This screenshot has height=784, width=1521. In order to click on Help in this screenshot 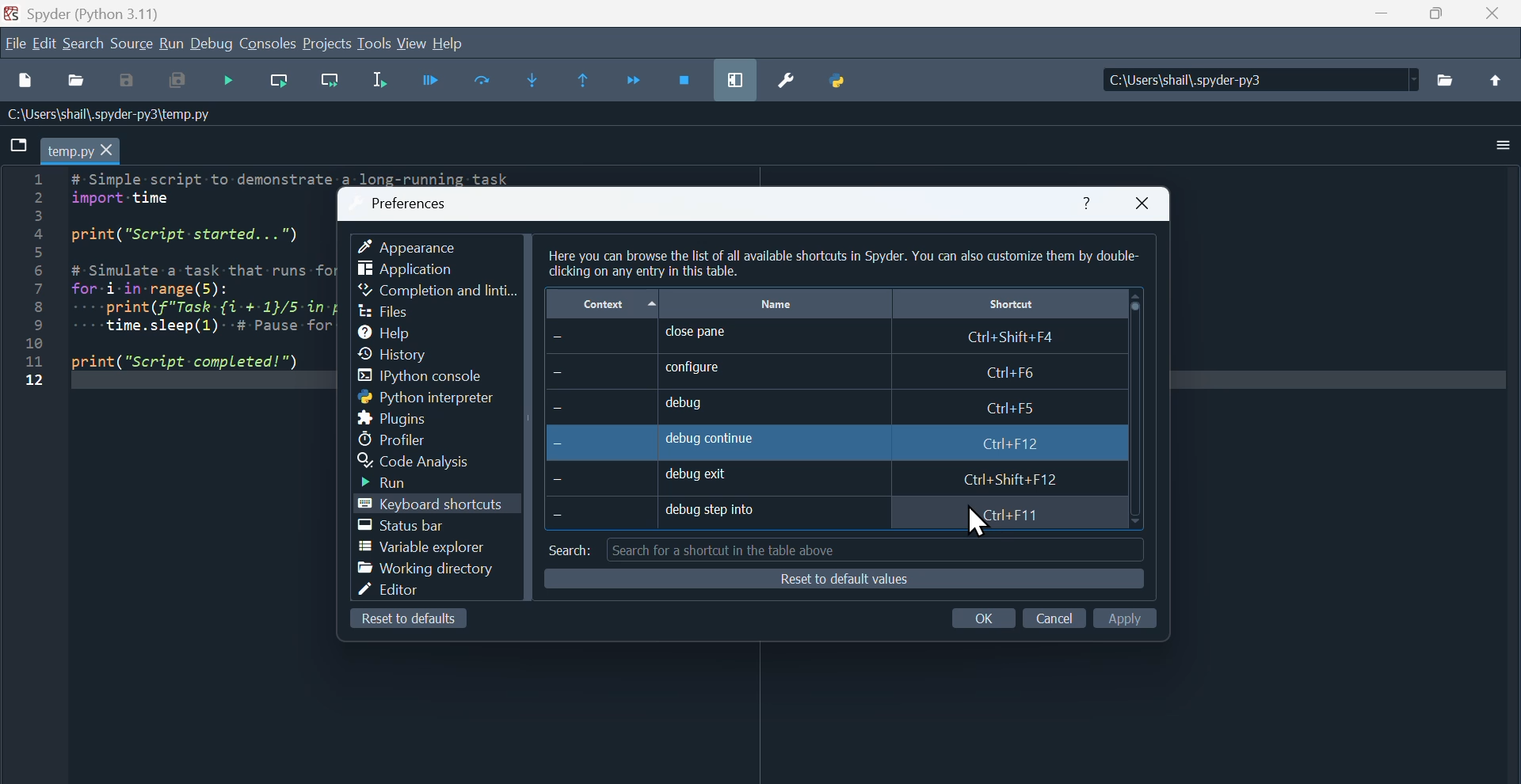, I will do `click(397, 330)`.